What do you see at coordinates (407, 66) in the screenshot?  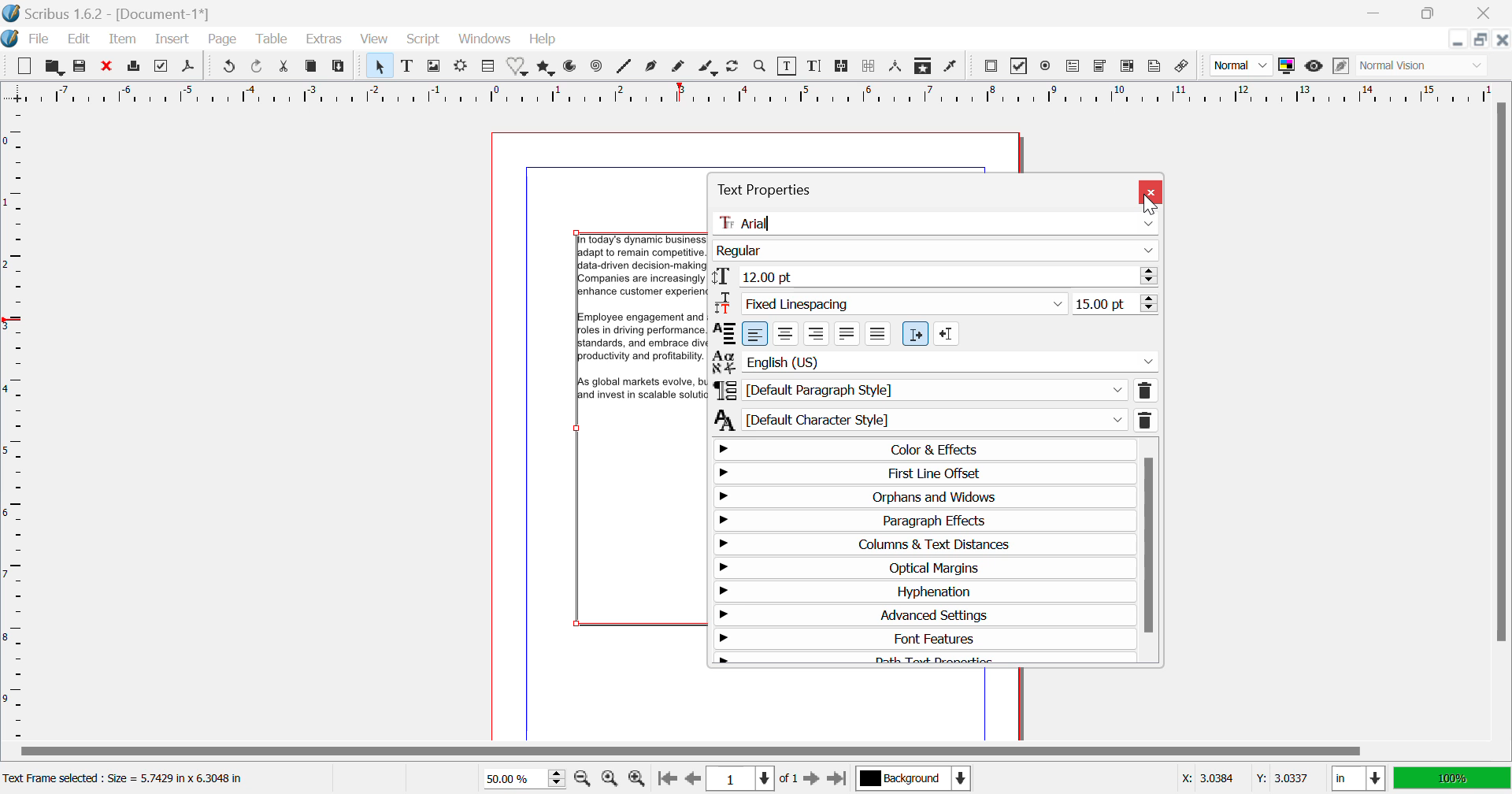 I see `Text Frame` at bounding box center [407, 66].